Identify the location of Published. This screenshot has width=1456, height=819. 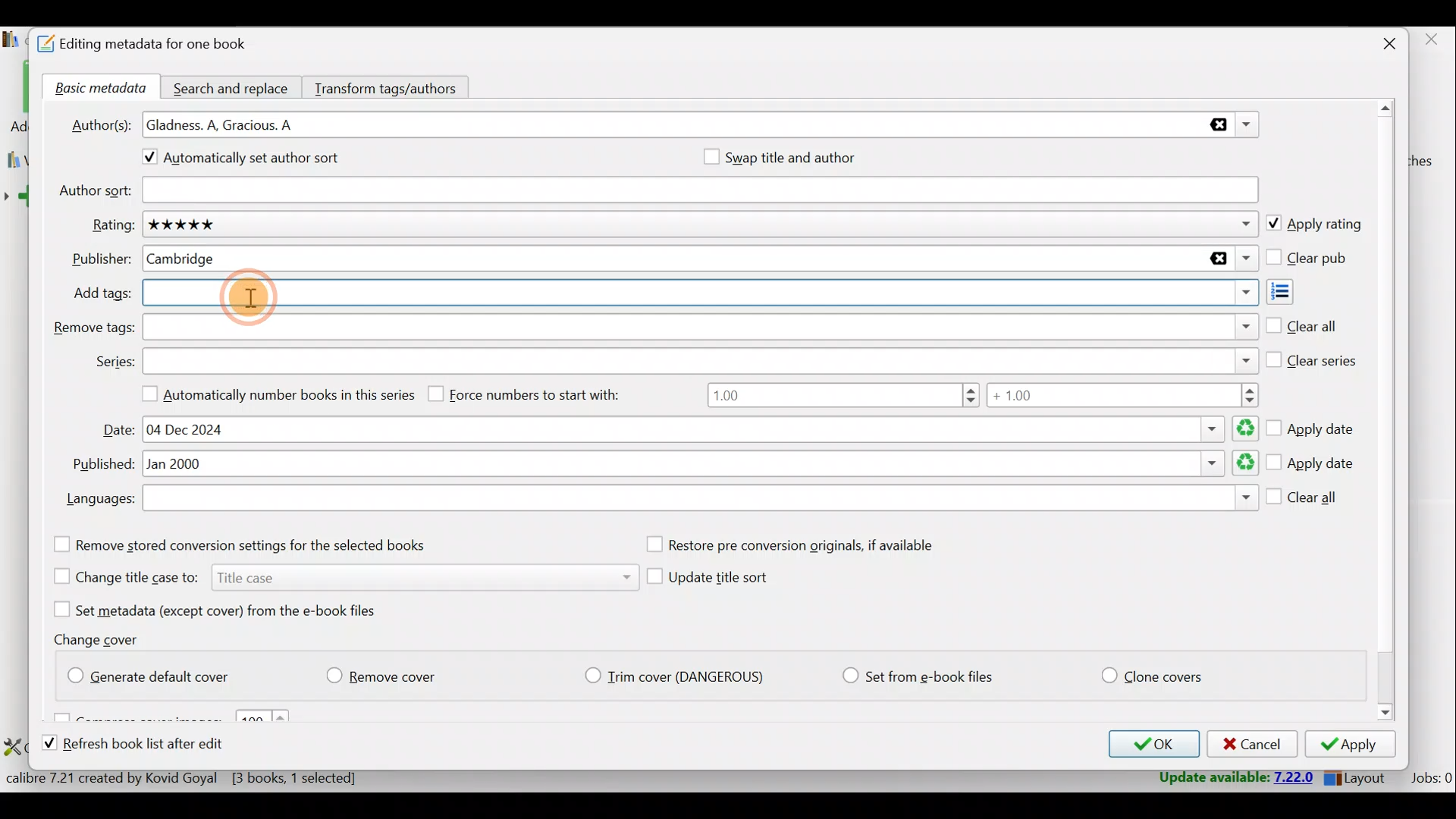
(701, 465).